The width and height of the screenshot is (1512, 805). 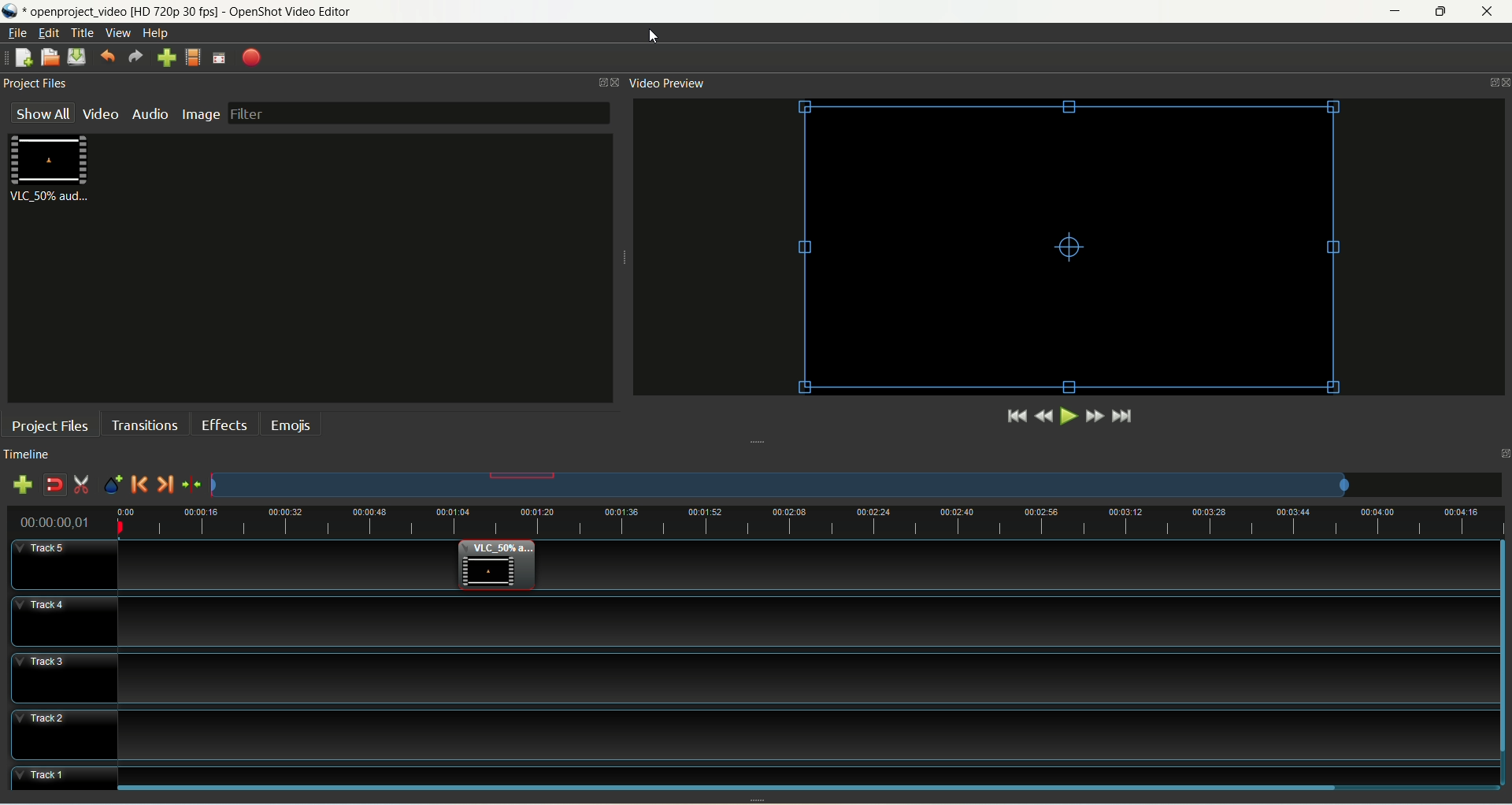 I want to click on logo, so click(x=12, y=11).